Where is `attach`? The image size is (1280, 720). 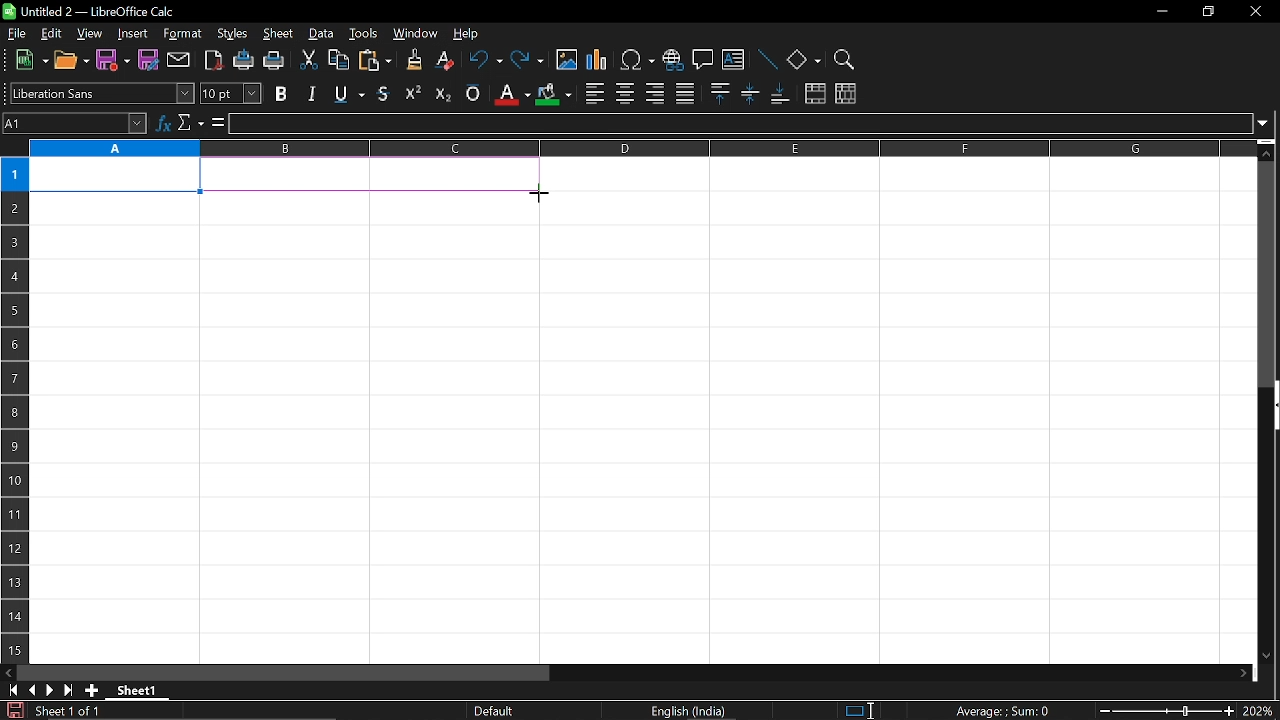
attach is located at coordinates (177, 59).